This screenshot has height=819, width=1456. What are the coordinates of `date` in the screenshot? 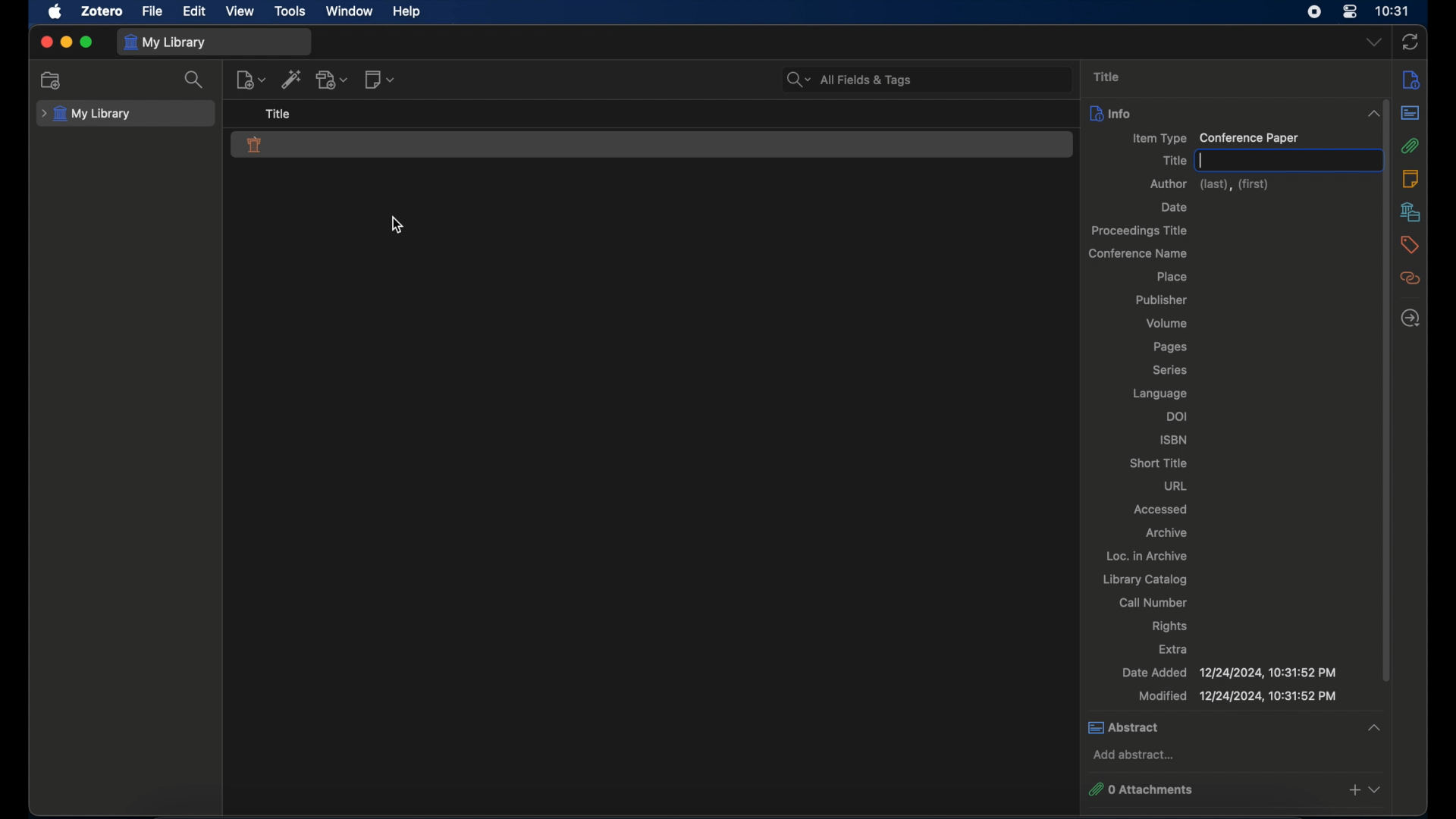 It's located at (1175, 207).